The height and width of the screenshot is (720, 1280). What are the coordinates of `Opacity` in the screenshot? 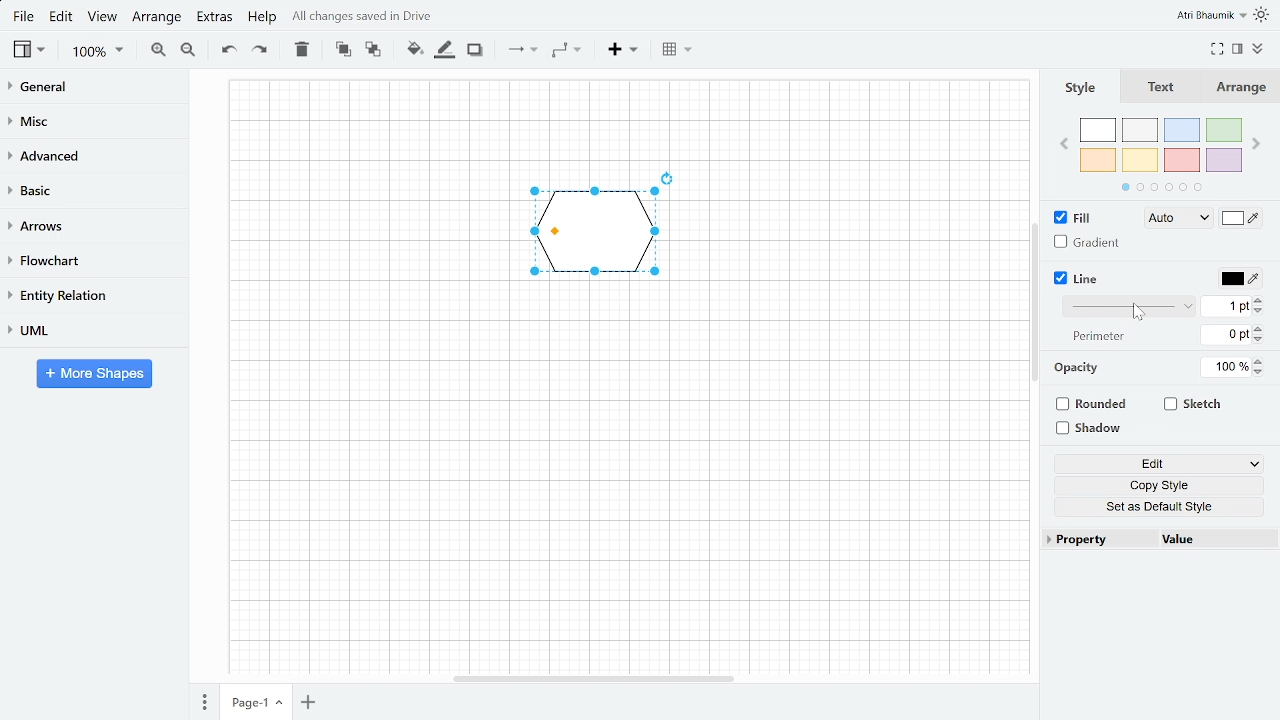 It's located at (1076, 368).